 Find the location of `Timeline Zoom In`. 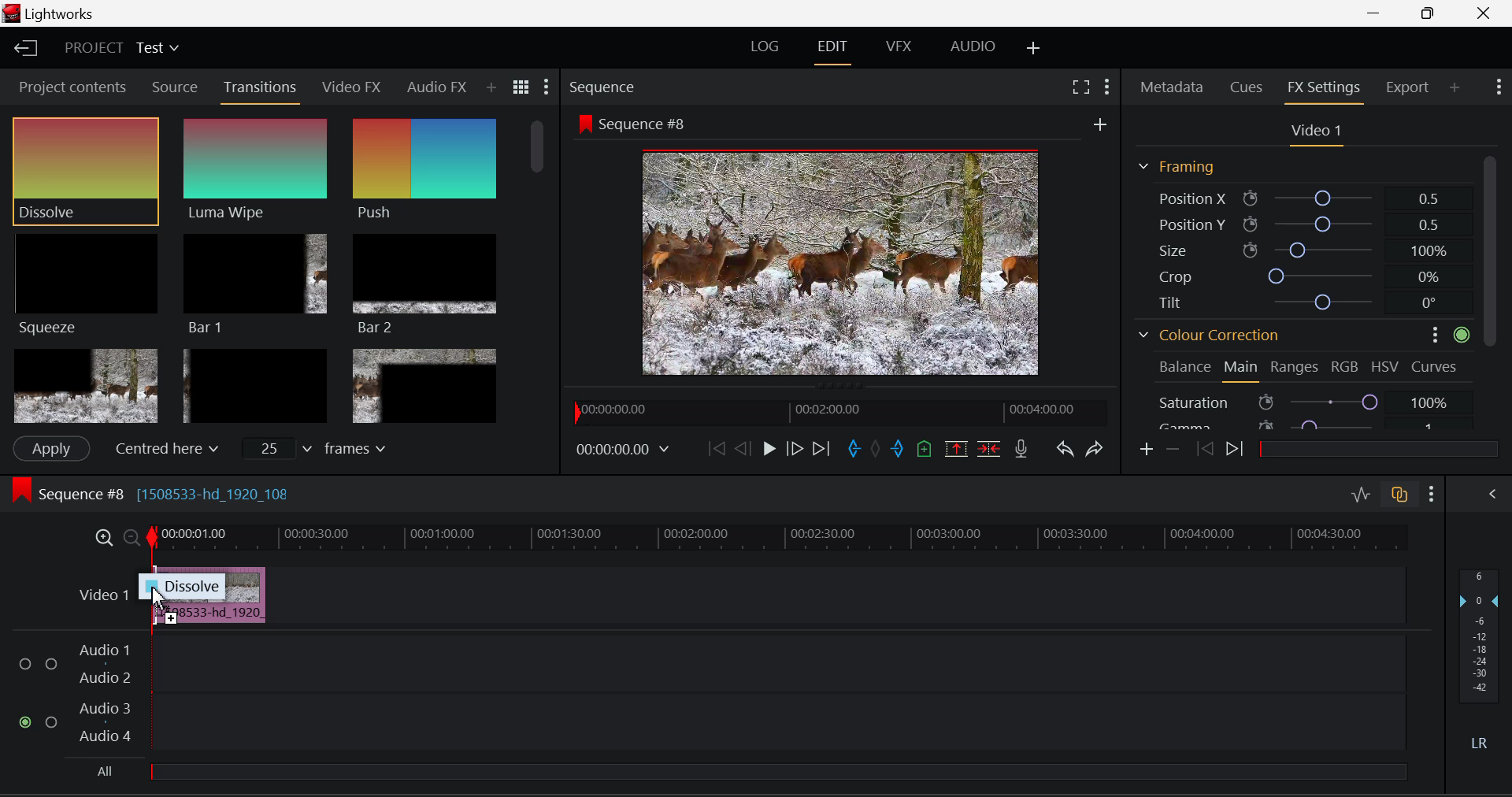

Timeline Zoom In is located at coordinates (103, 539).